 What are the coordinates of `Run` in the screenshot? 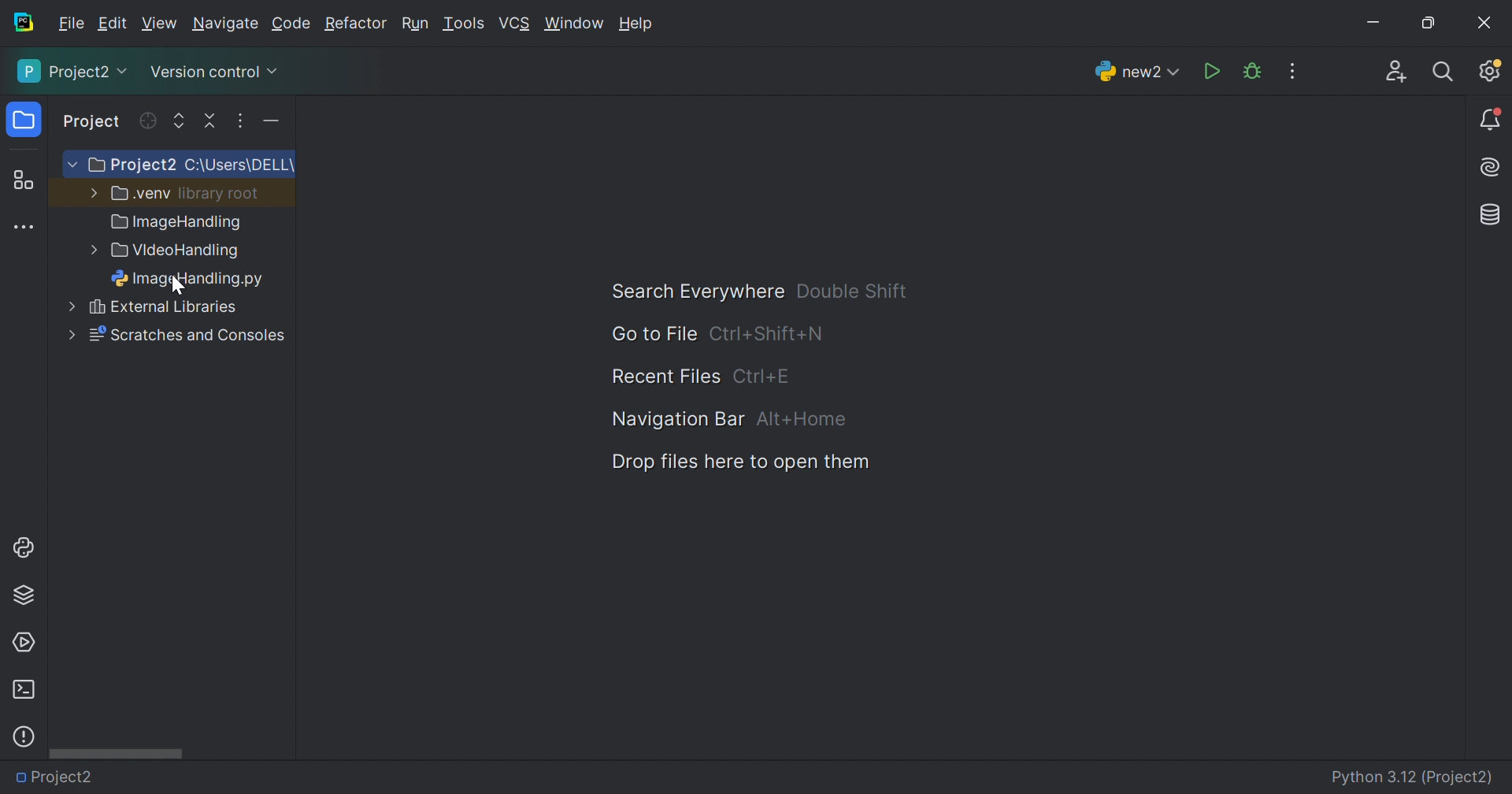 It's located at (1214, 72).